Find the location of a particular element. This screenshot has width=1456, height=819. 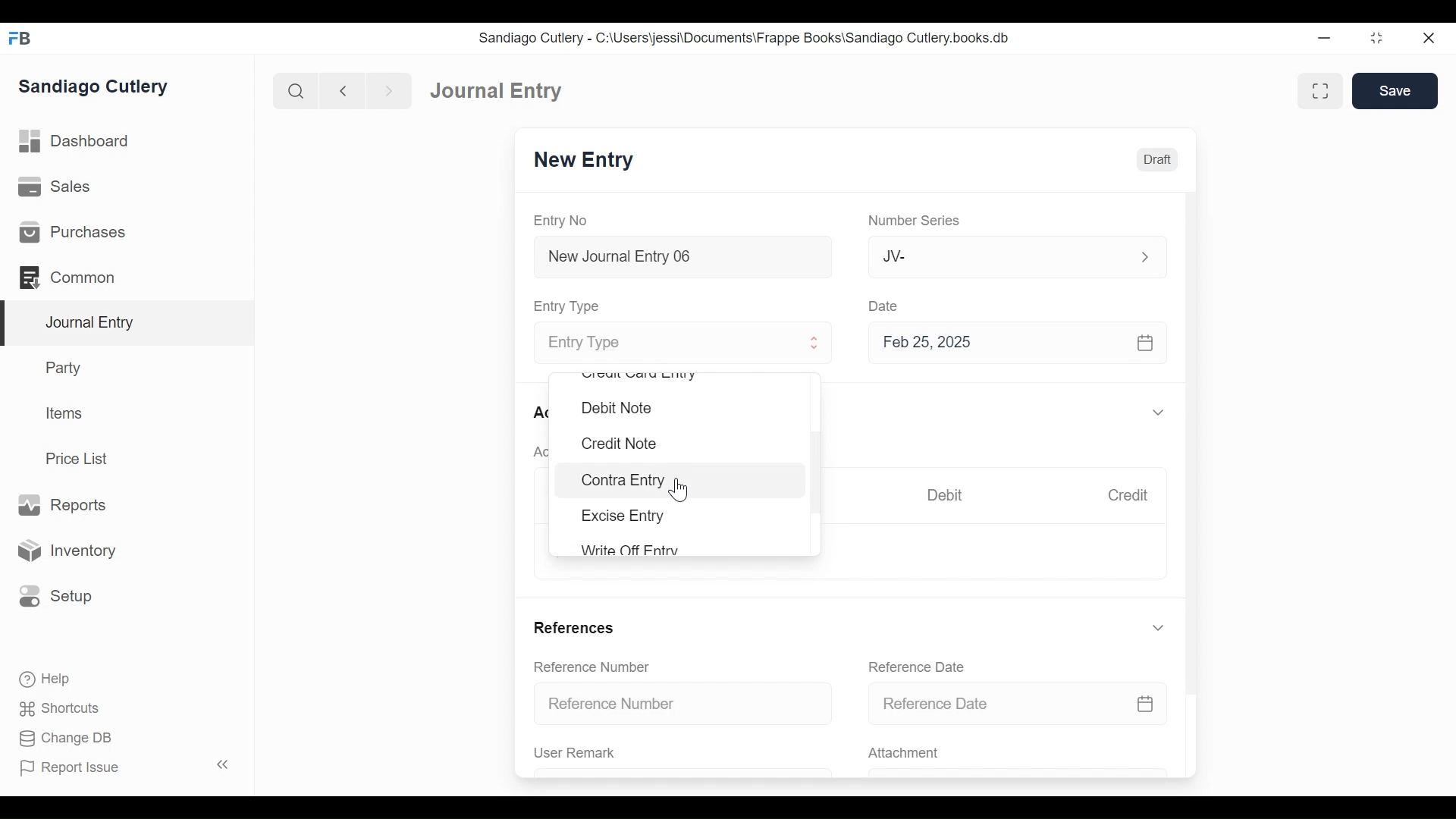

Contra Entry is located at coordinates (683, 480).